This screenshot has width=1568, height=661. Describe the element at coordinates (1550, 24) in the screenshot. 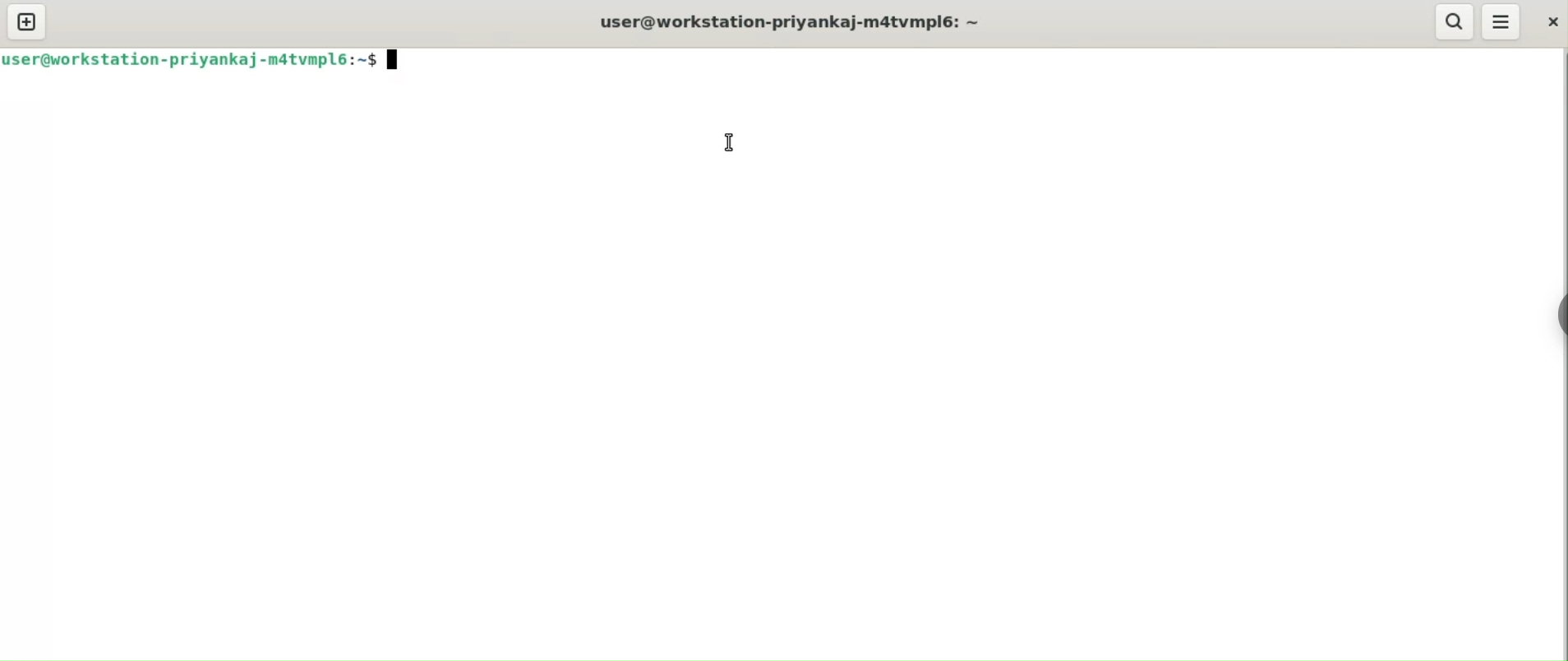

I see `close` at that location.